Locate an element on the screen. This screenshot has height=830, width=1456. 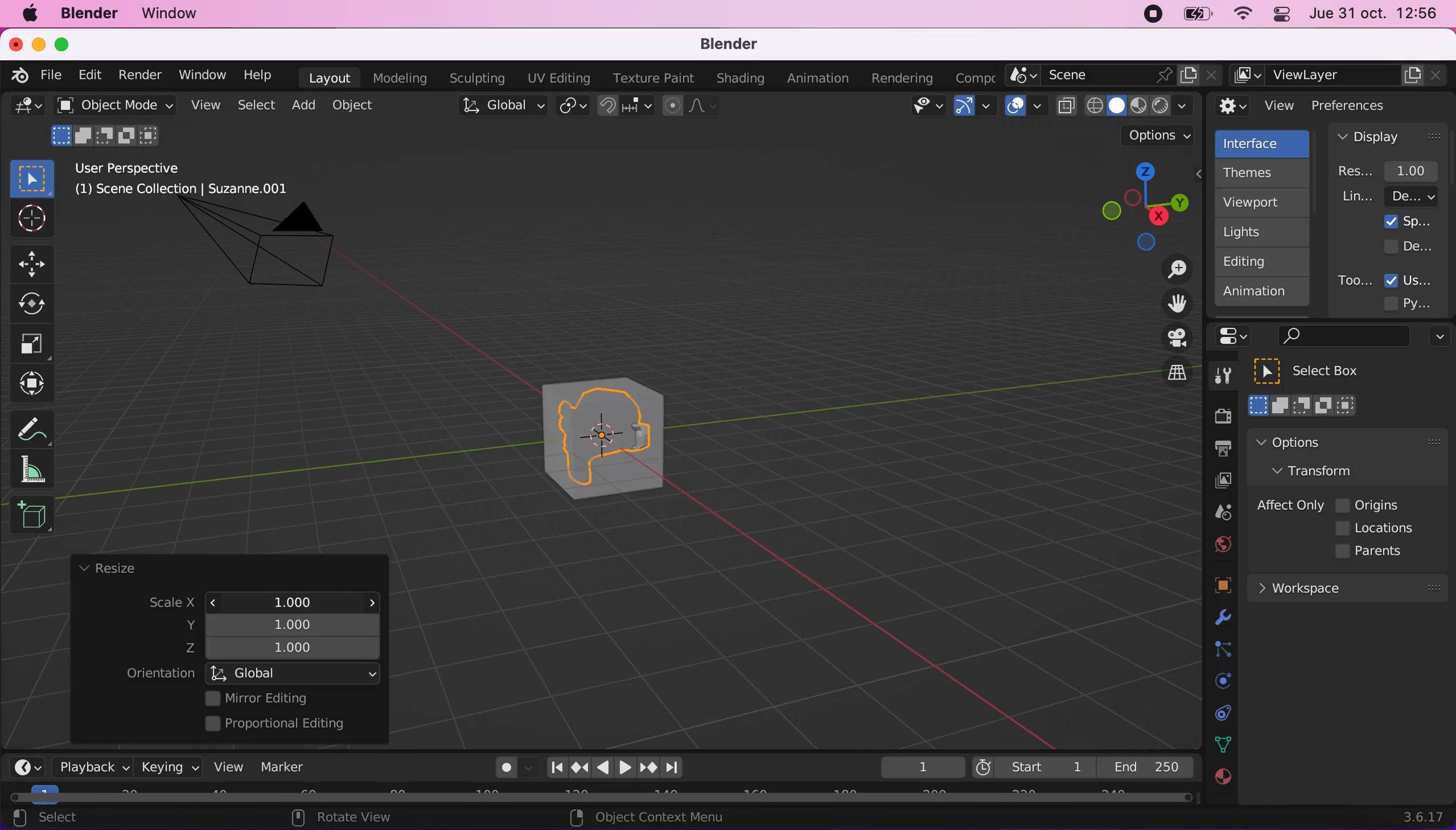
transform pivot point is located at coordinates (574, 107).